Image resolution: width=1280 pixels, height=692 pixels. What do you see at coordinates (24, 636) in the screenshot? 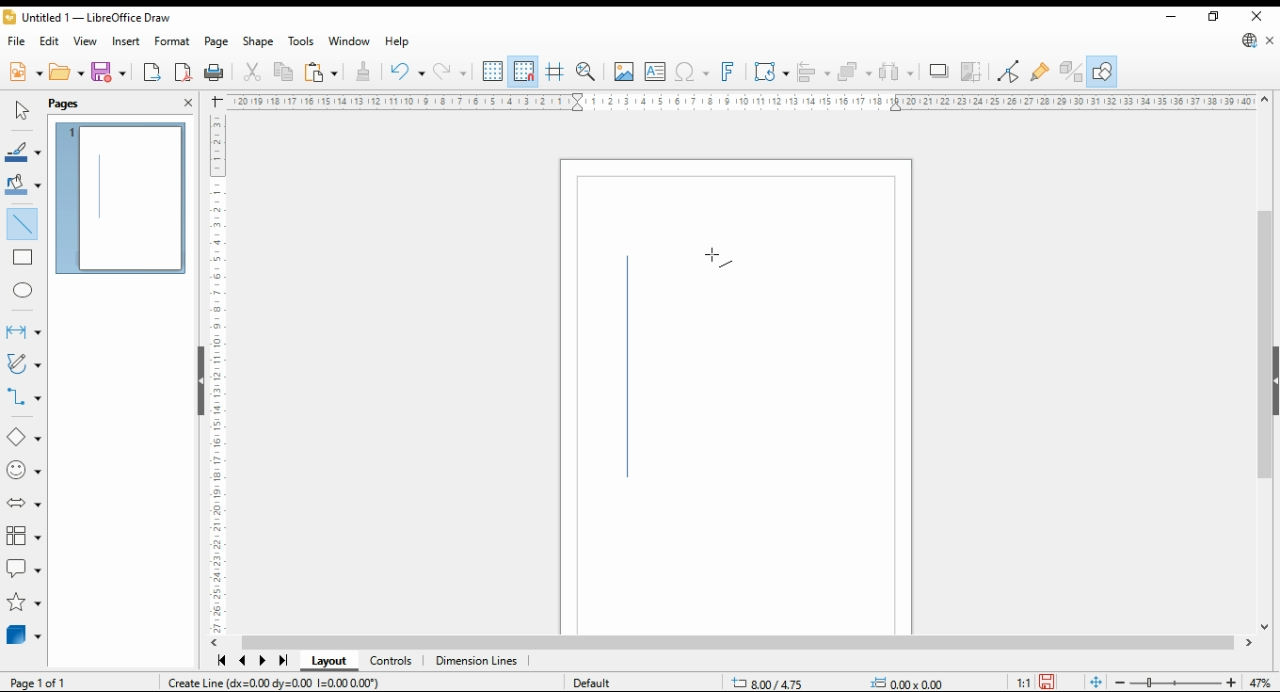
I see `3D objects` at bounding box center [24, 636].